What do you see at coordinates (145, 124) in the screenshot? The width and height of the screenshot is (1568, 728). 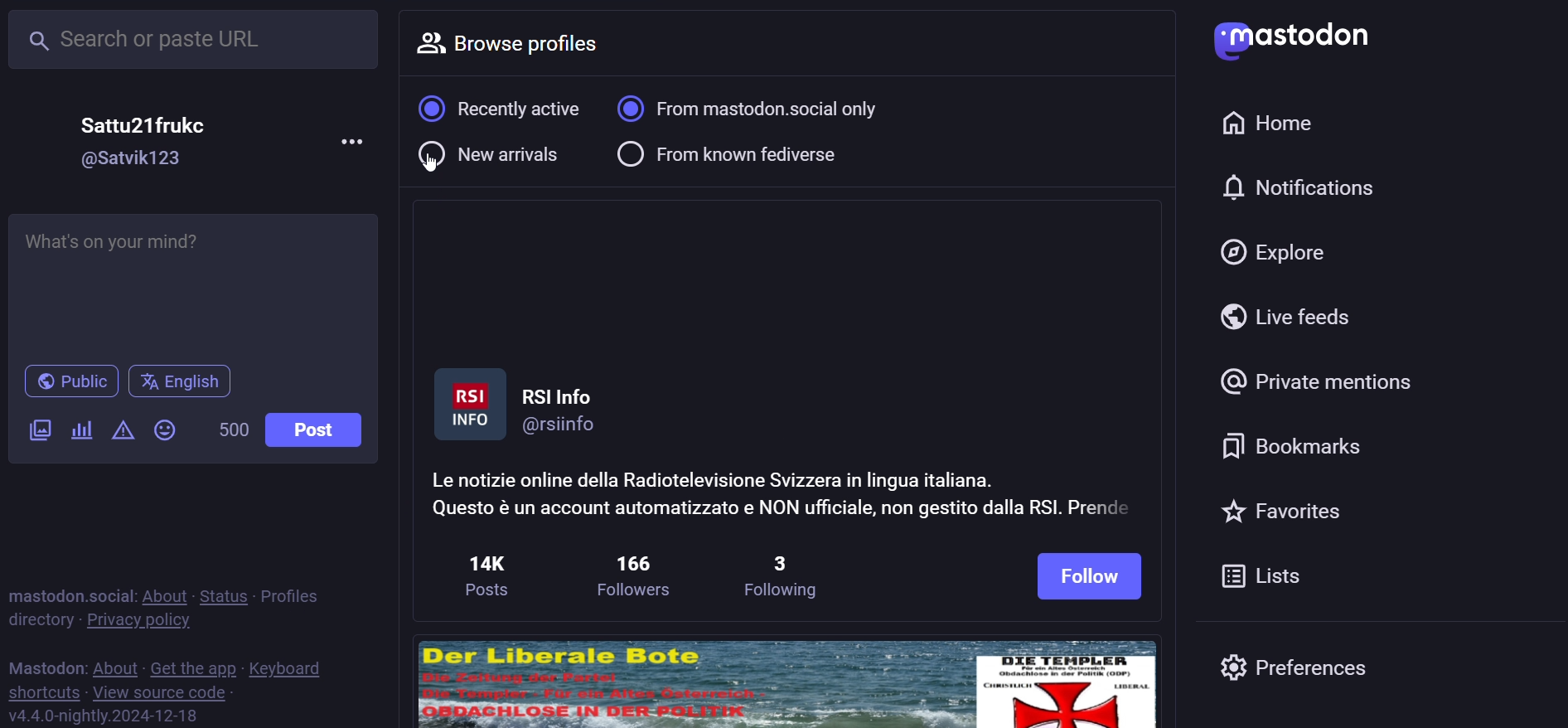 I see `Sattu21frukc` at bounding box center [145, 124].